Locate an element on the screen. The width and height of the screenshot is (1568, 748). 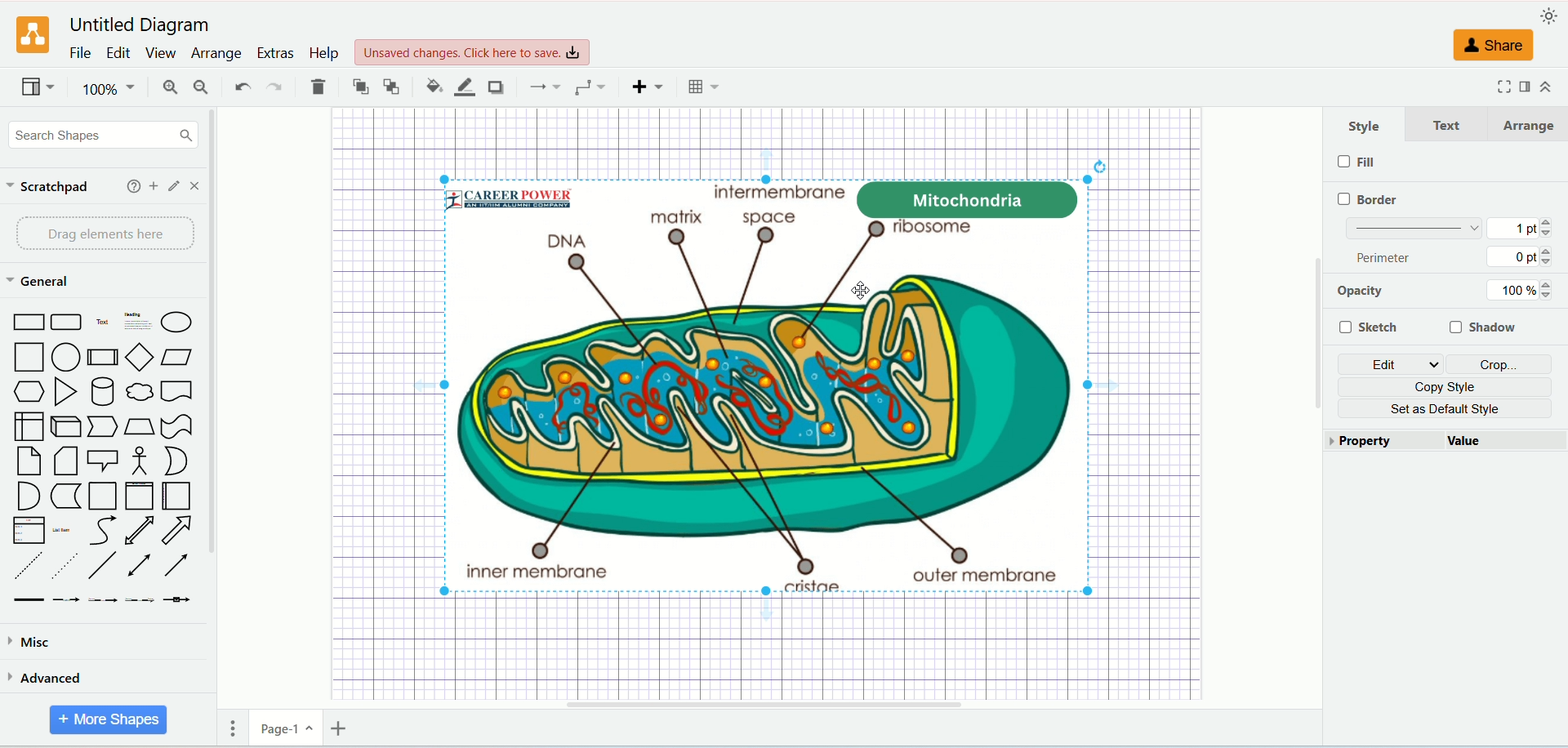
fullscreen is located at coordinates (1503, 86).